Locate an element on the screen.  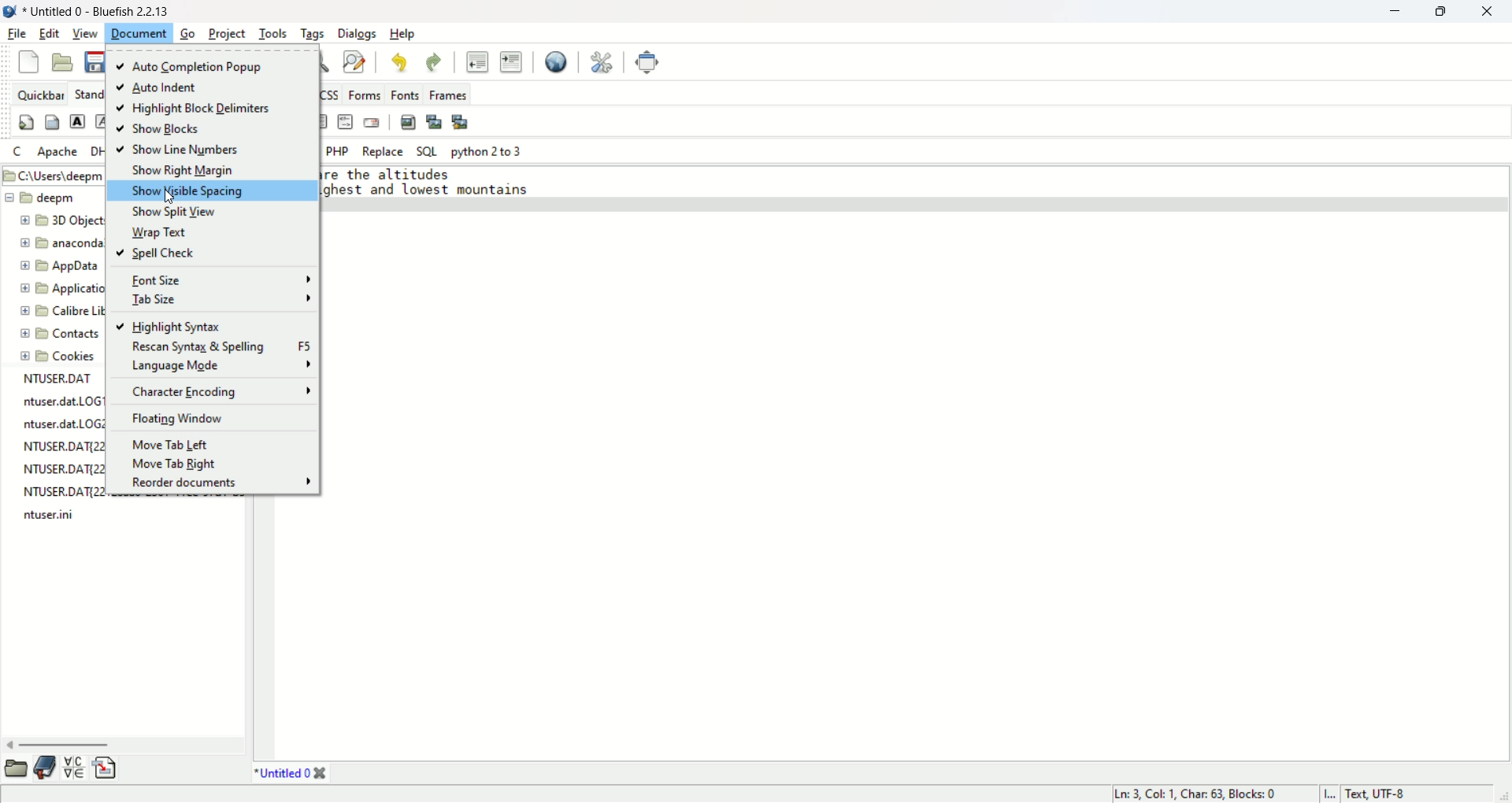
HTML comment is located at coordinates (346, 124).